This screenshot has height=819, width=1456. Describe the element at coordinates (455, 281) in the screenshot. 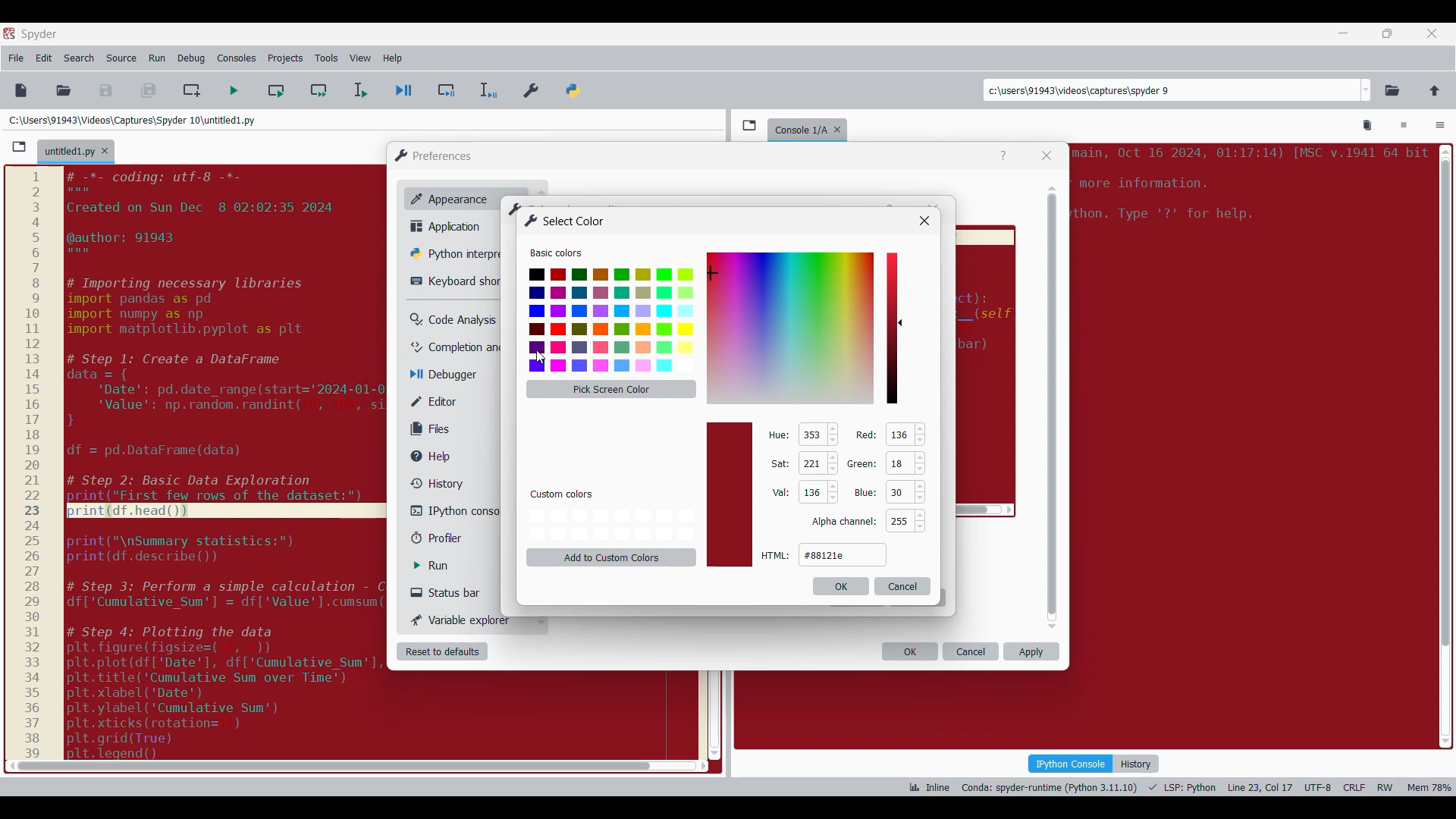

I see `Keyboard shortcut` at that location.